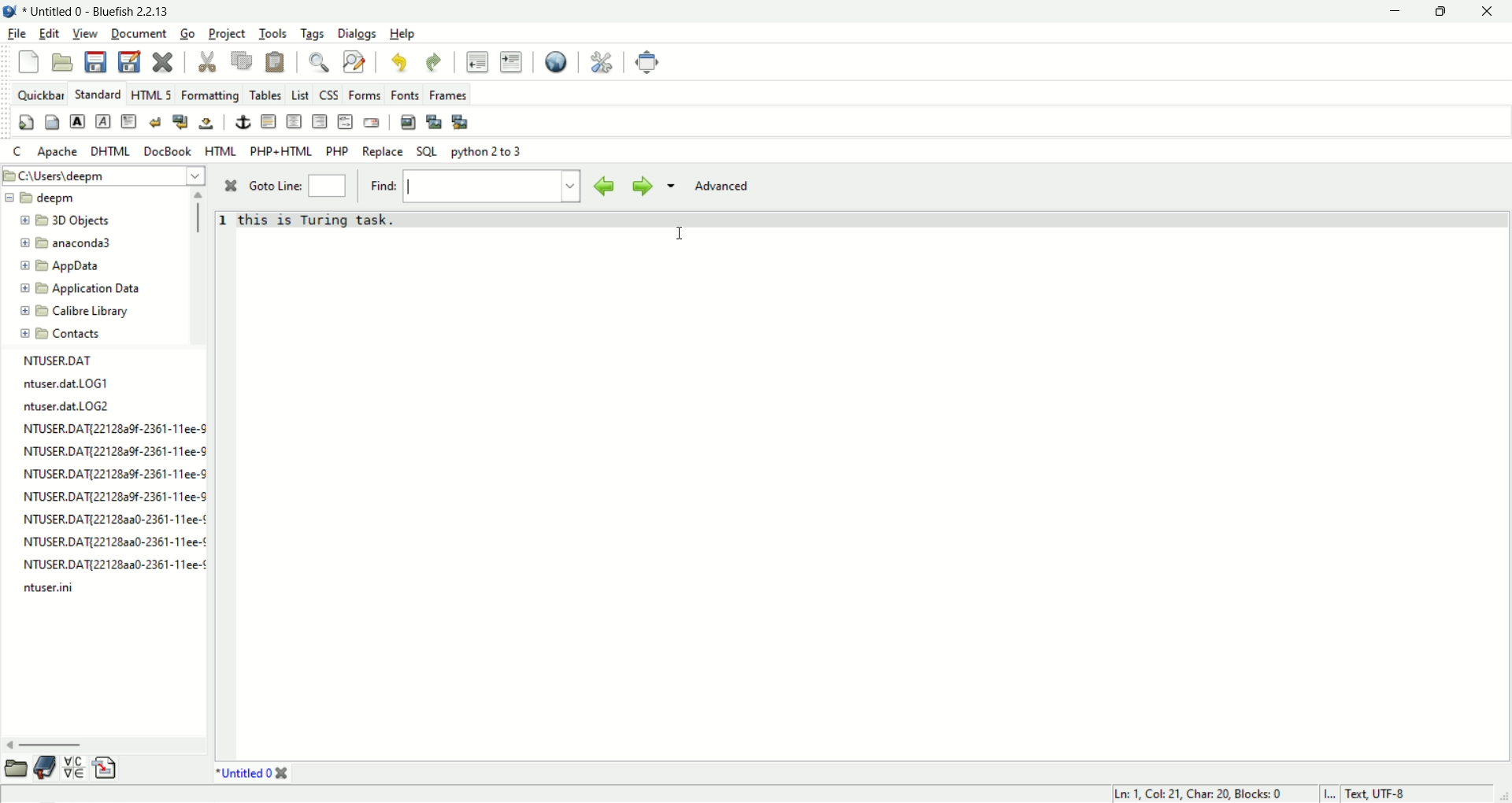  What do you see at coordinates (27, 124) in the screenshot?
I see `quick settings` at bounding box center [27, 124].